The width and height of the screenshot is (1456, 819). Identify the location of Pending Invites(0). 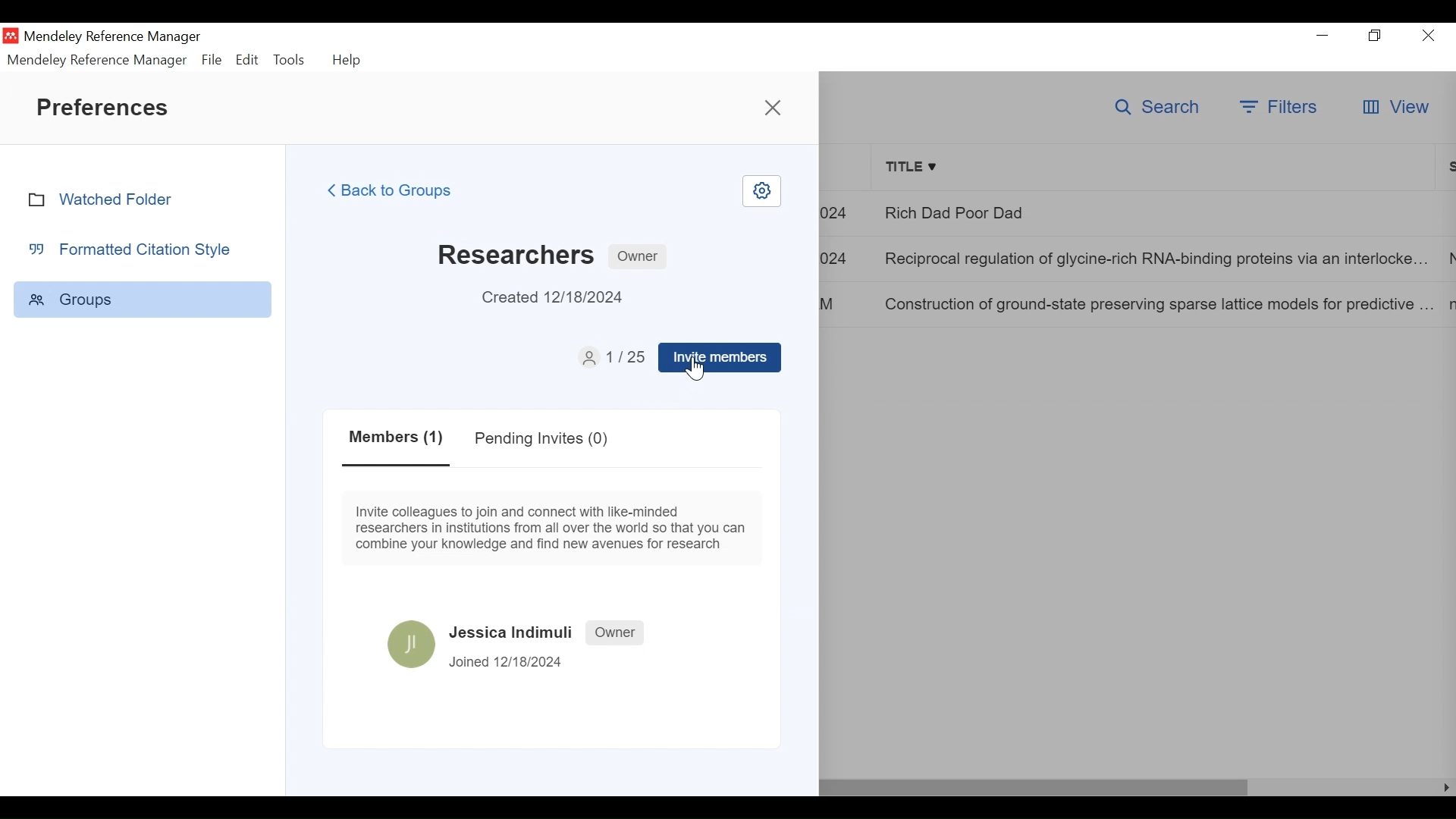
(539, 438).